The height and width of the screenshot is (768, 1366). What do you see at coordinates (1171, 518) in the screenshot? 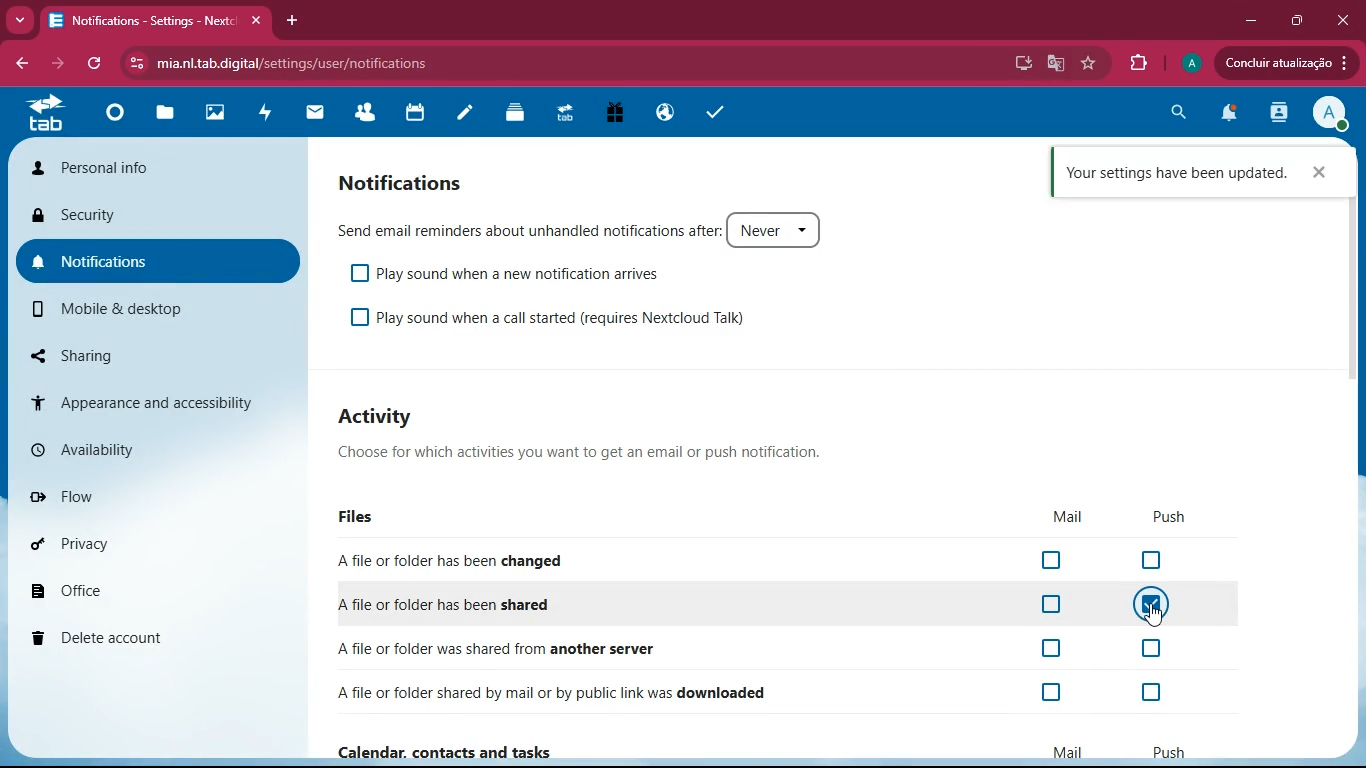
I see `push` at bounding box center [1171, 518].